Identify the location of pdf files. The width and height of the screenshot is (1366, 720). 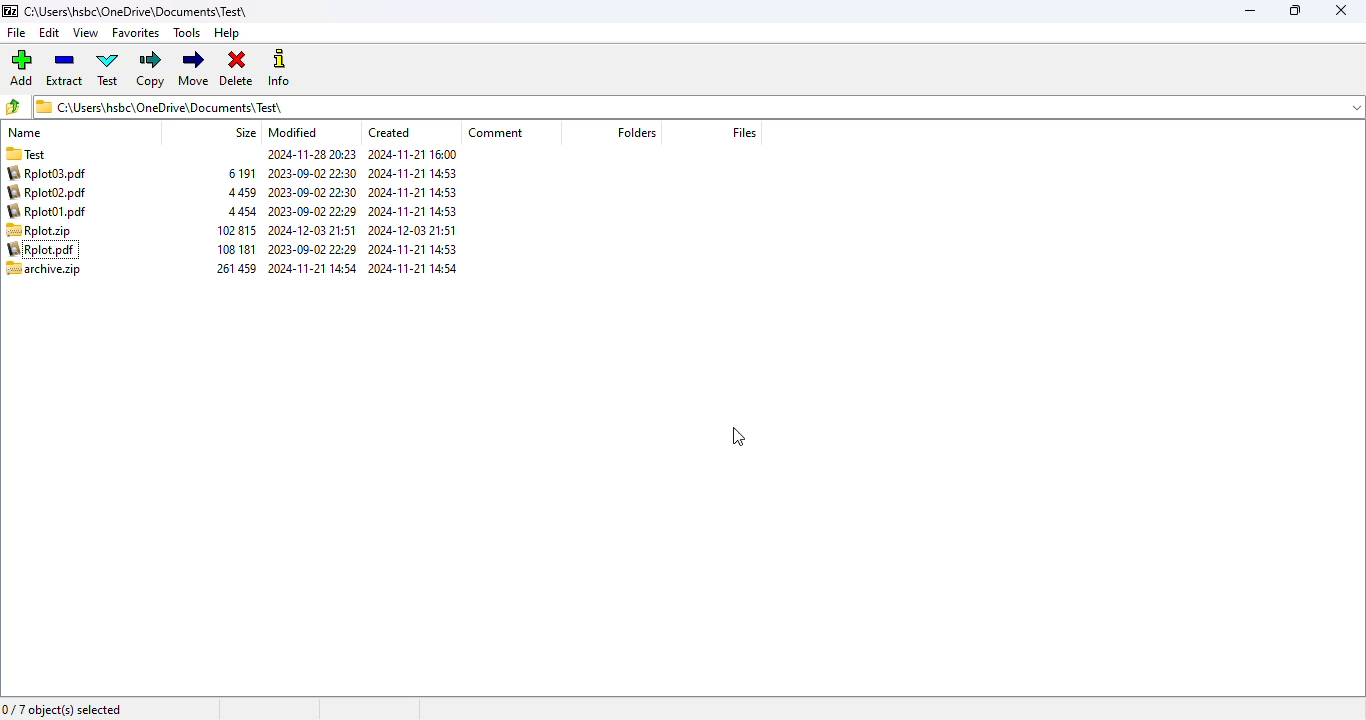
(50, 191).